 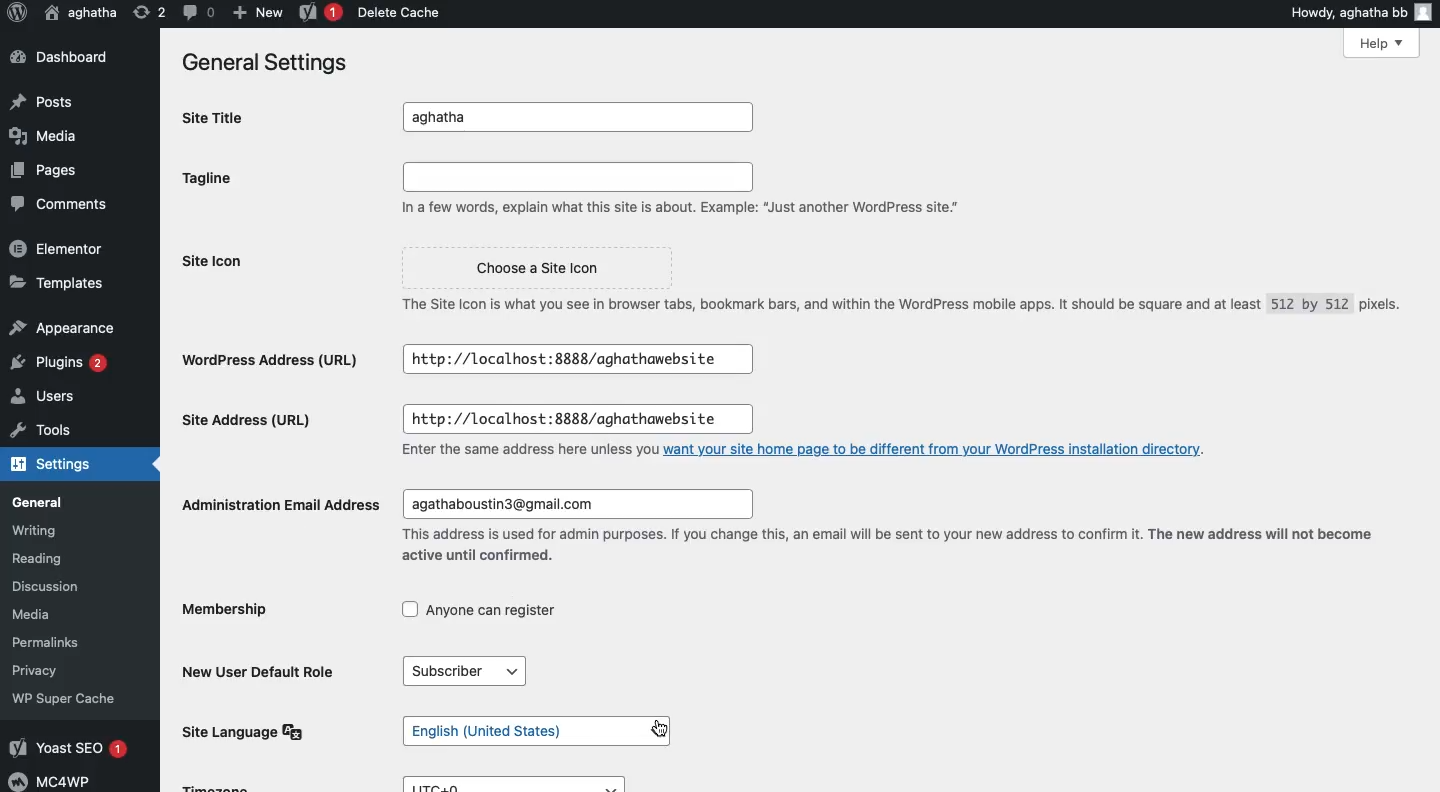 I want to click on Anyone can register, so click(x=480, y=613).